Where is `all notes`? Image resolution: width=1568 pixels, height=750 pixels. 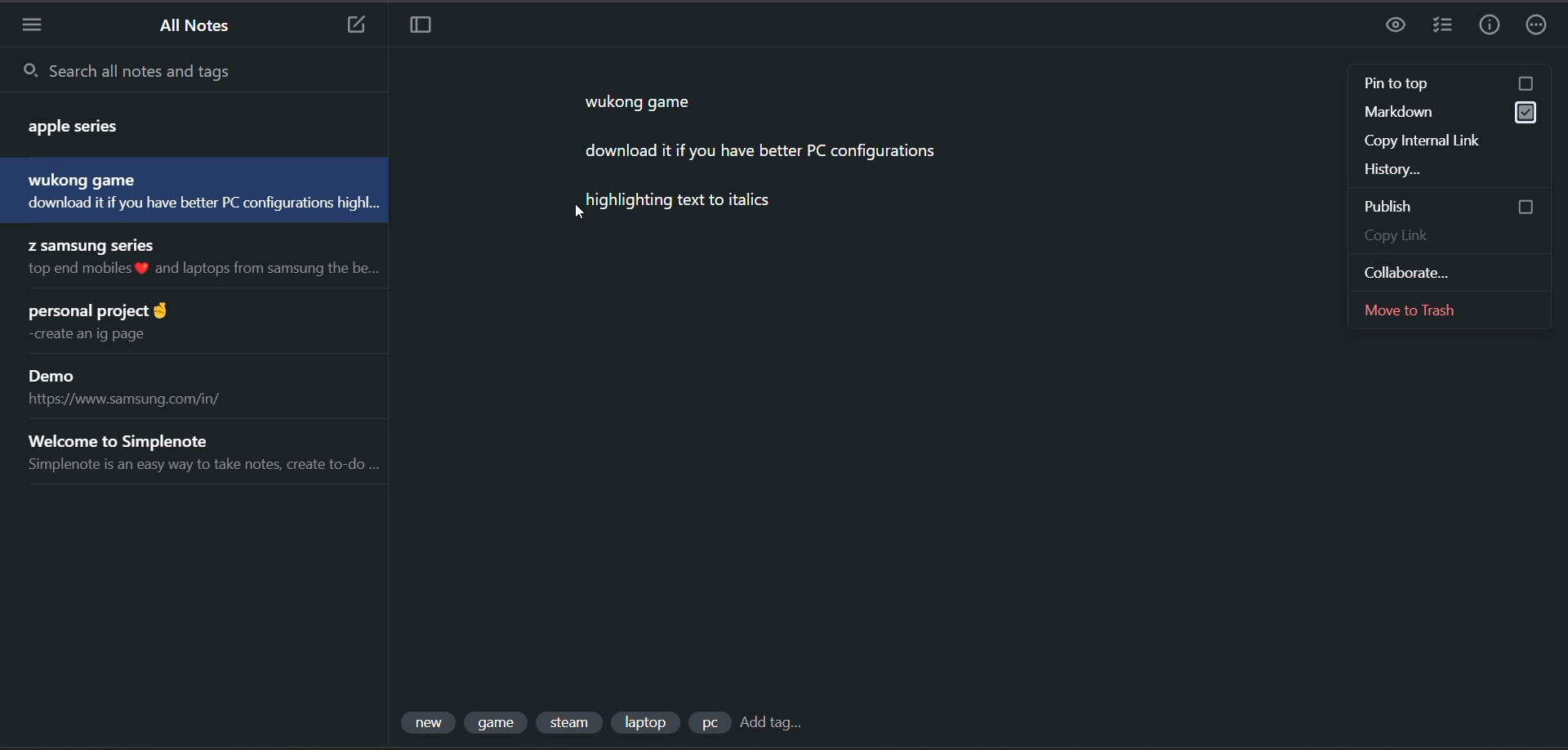
all notes is located at coordinates (201, 28).